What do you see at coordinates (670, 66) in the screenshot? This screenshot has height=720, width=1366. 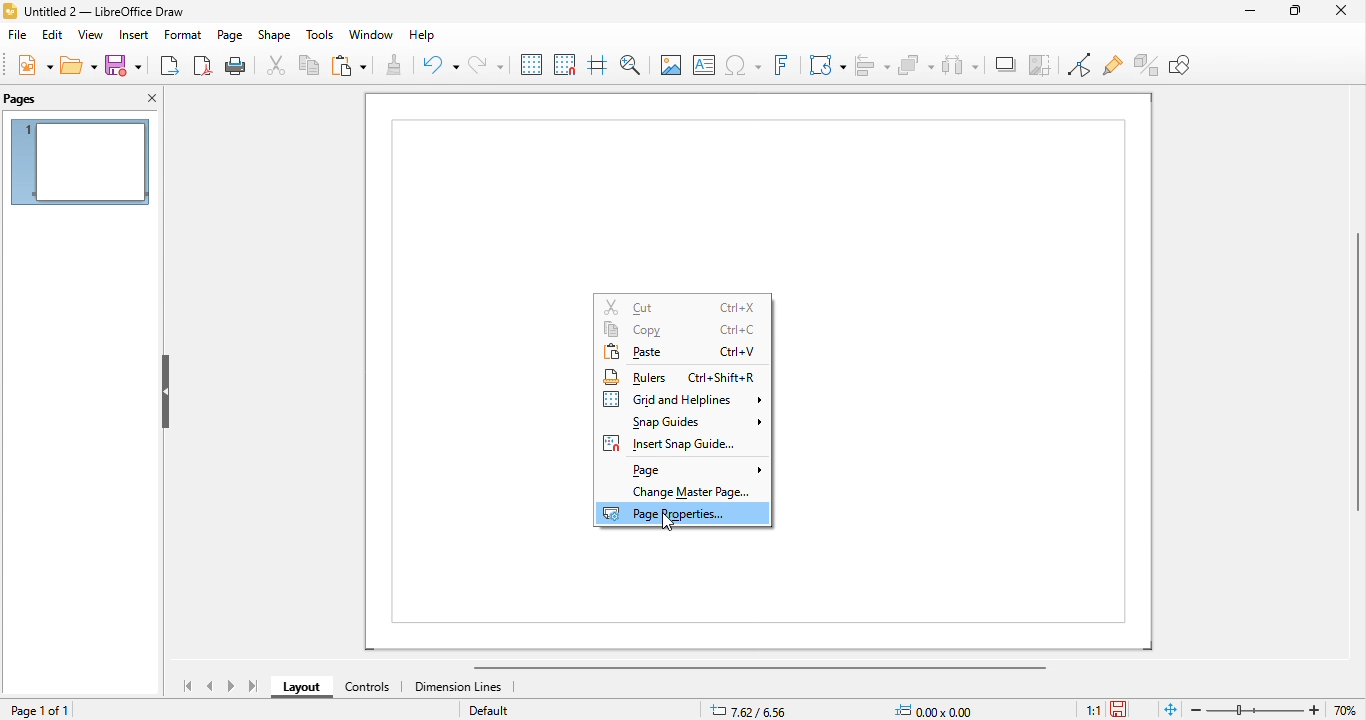 I see `image` at bounding box center [670, 66].